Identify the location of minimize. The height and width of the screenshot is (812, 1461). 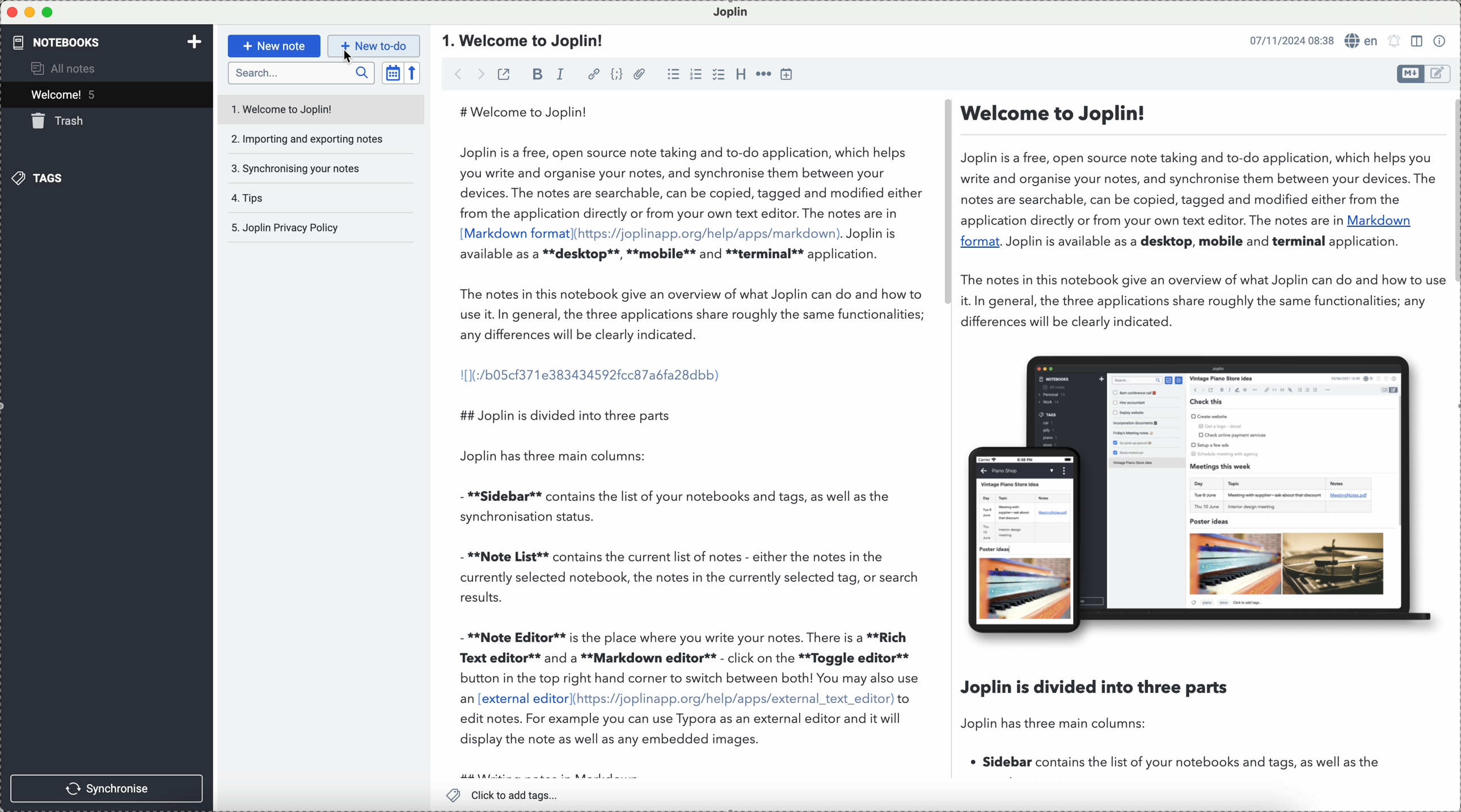
(31, 12).